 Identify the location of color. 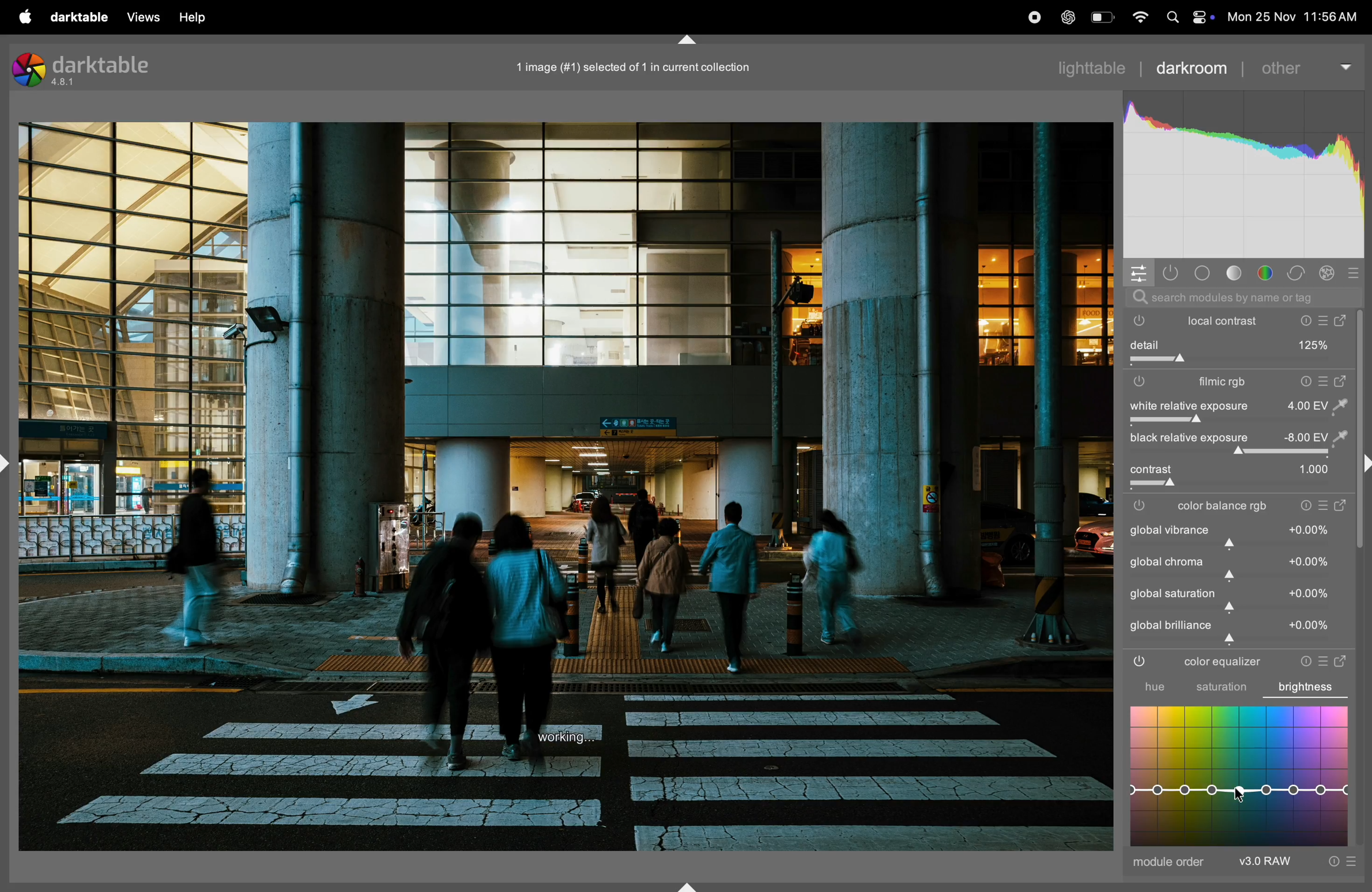
(1268, 273).